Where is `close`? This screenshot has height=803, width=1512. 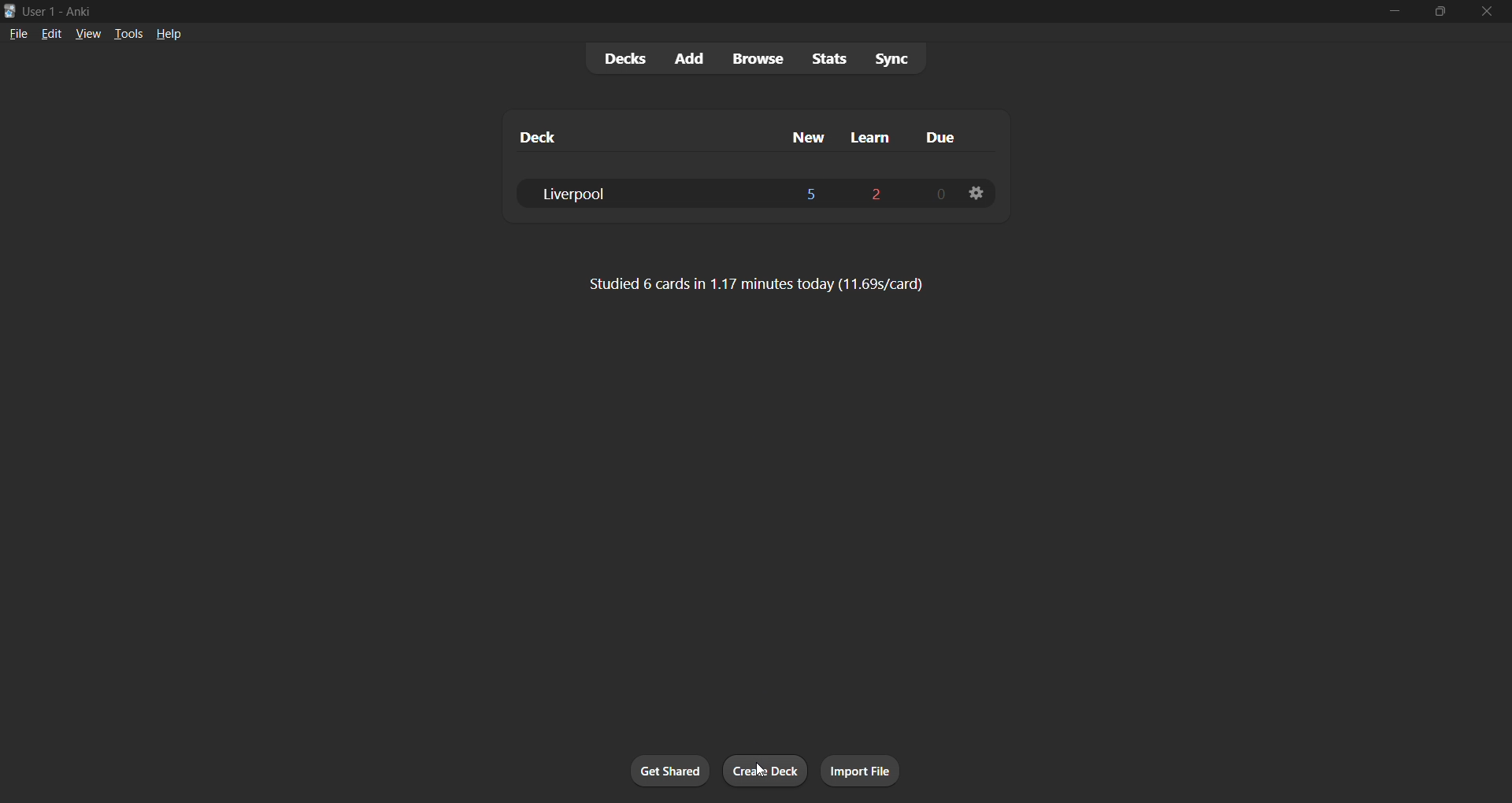
close is located at coordinates (1484, 13).